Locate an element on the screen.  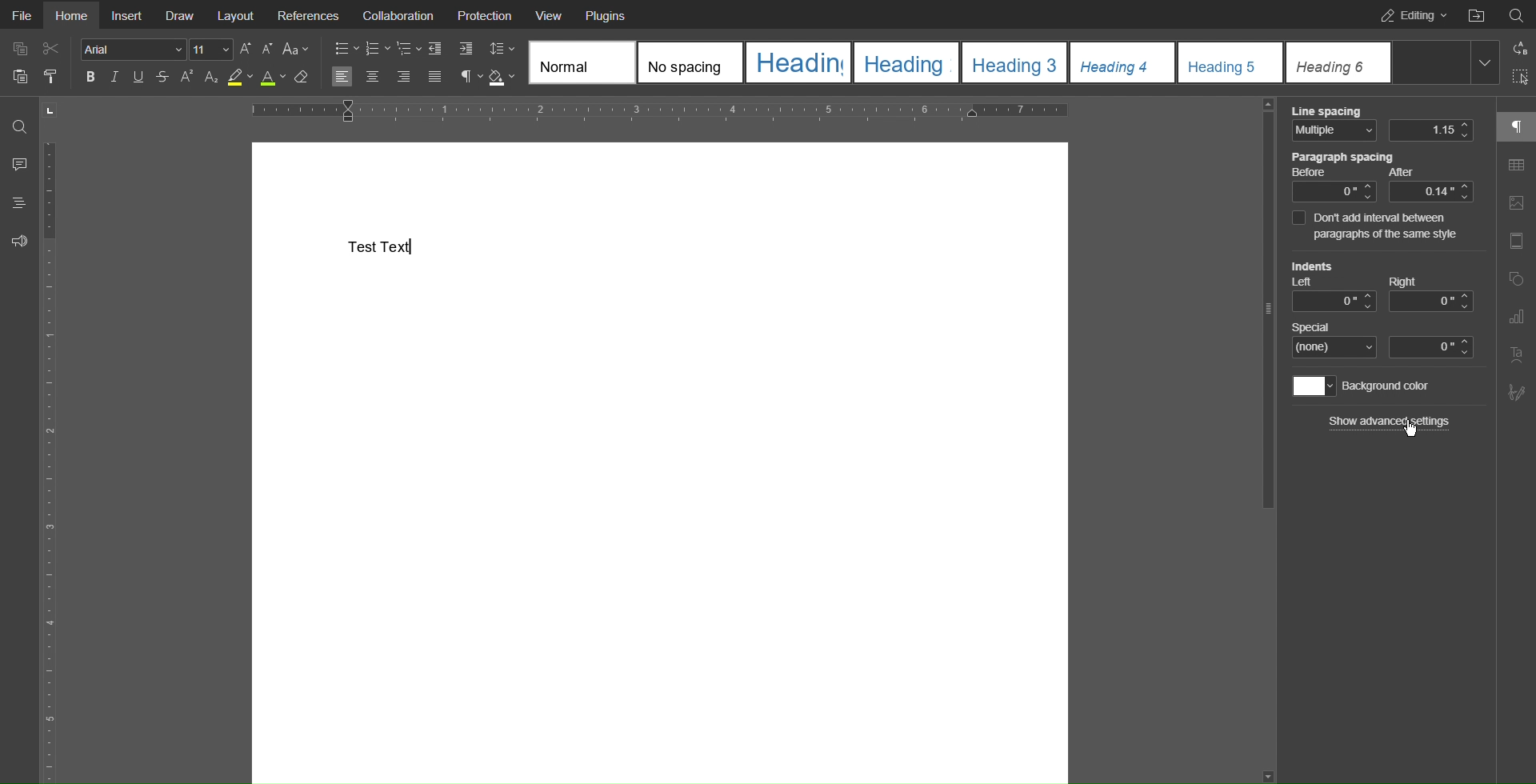
View is located at coordinates (550, 14).